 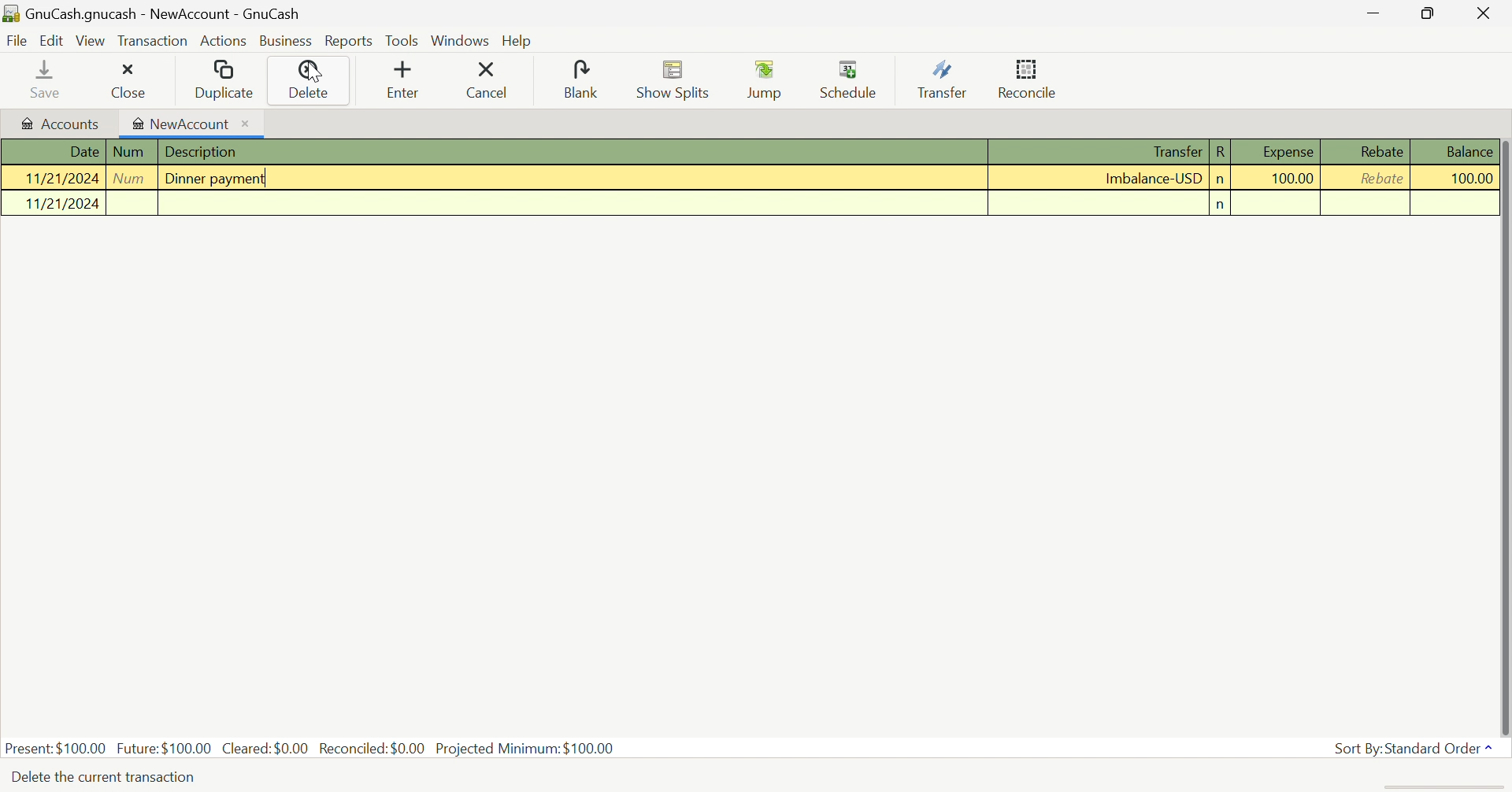 I want to click on Reports, so click(x=349, y=43).